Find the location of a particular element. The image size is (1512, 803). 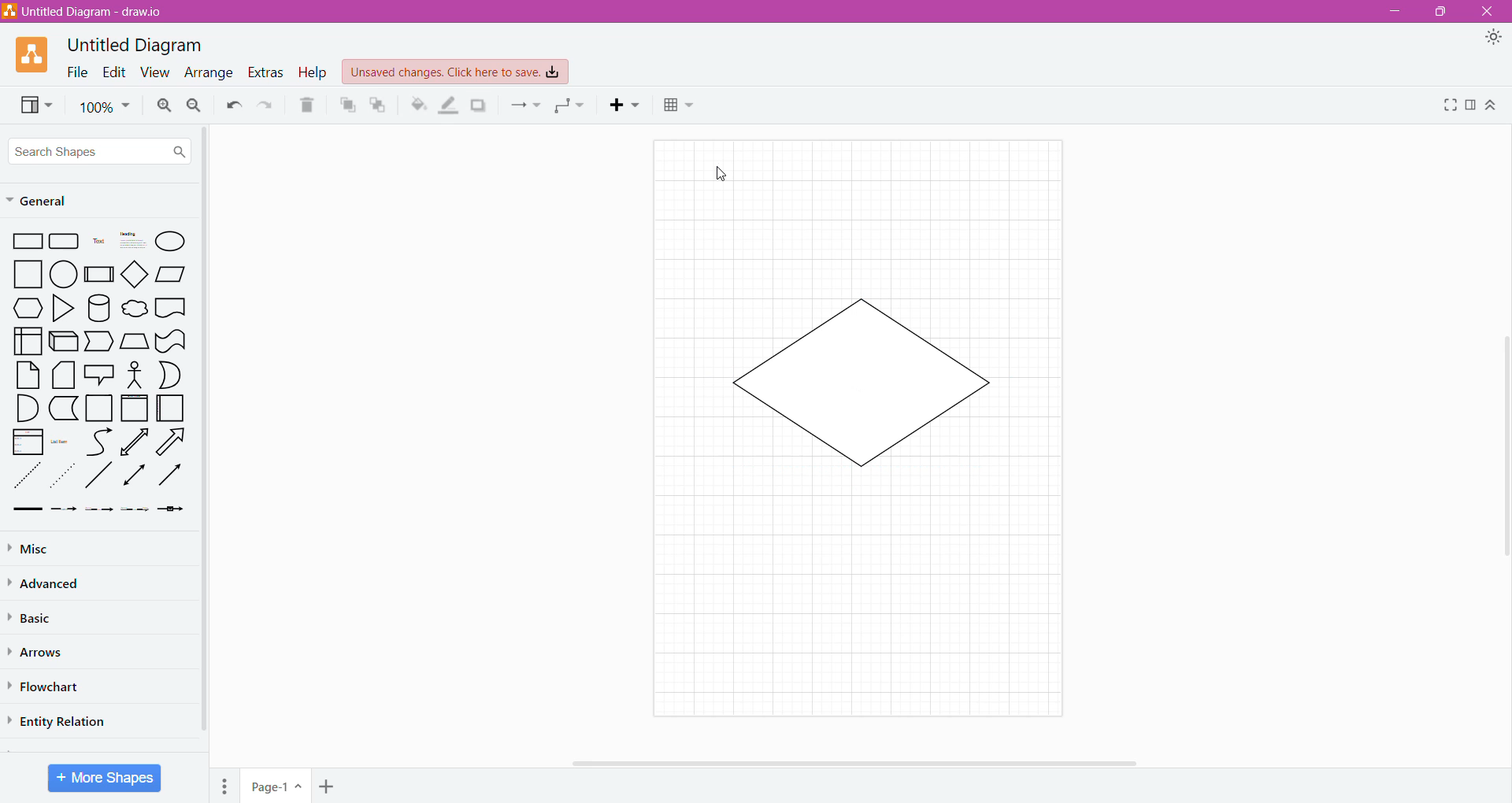

Vertical Scroll Bar is located at coordinates (204, 434).